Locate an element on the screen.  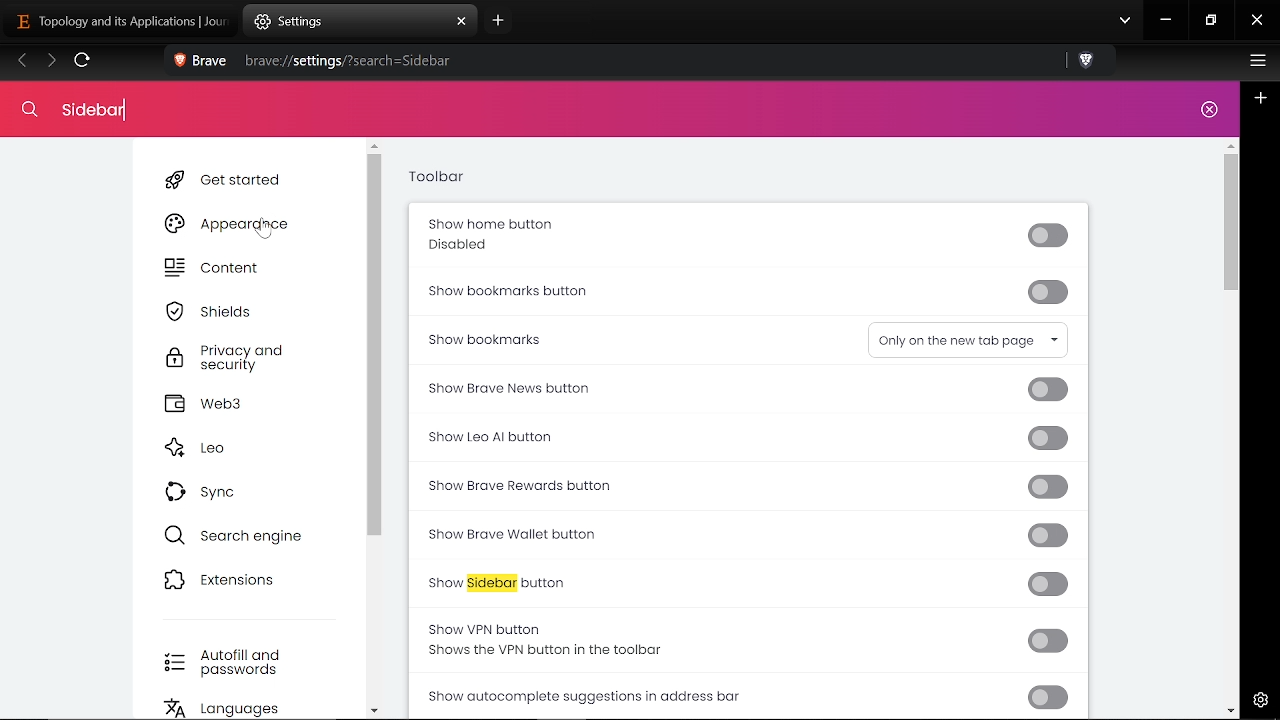
Show bookmarks is located at coordinates (558, 338).